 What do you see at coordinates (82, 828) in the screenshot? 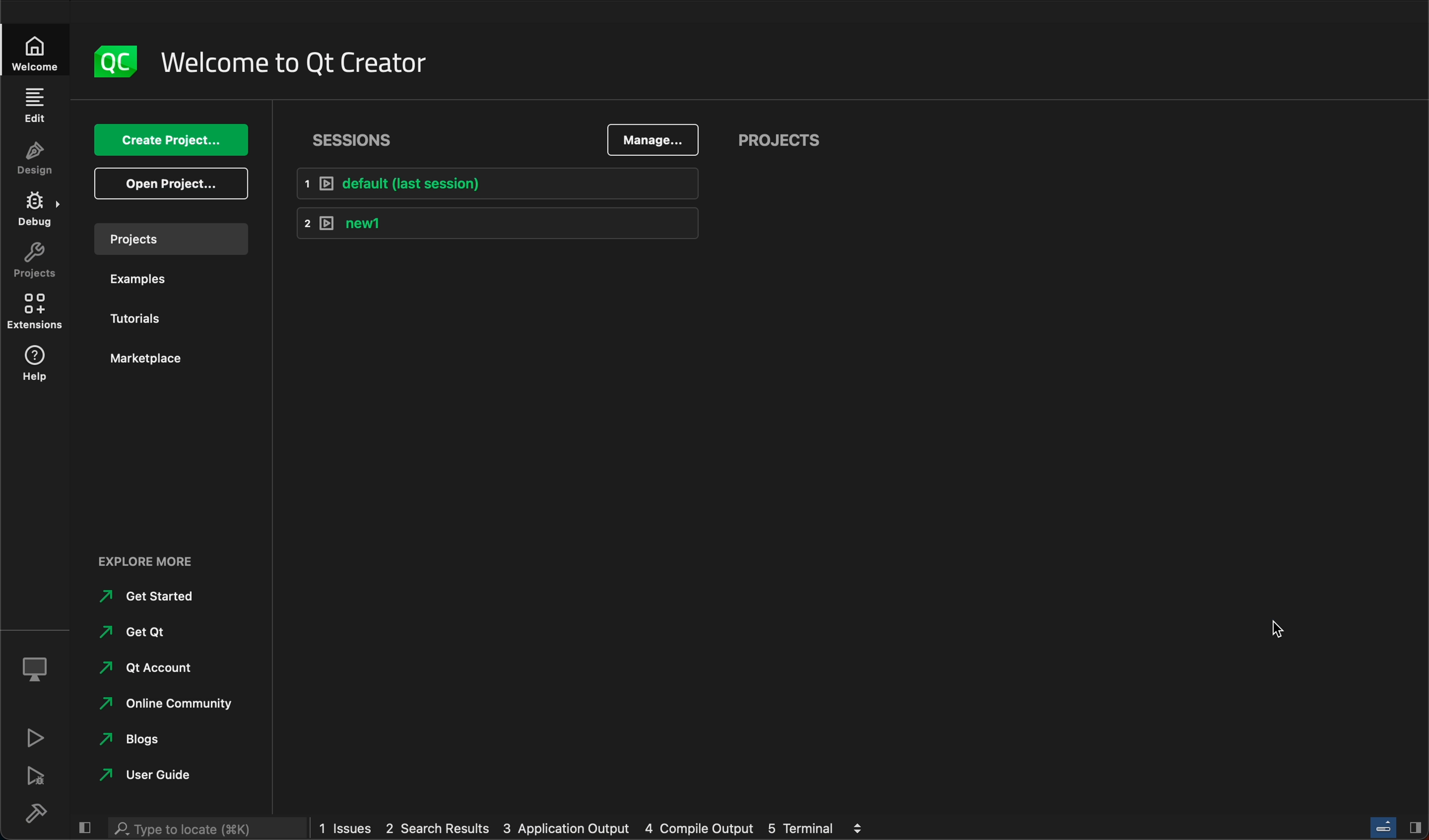
I see `hide/show left sidebar` at bounding box center [82, 828].